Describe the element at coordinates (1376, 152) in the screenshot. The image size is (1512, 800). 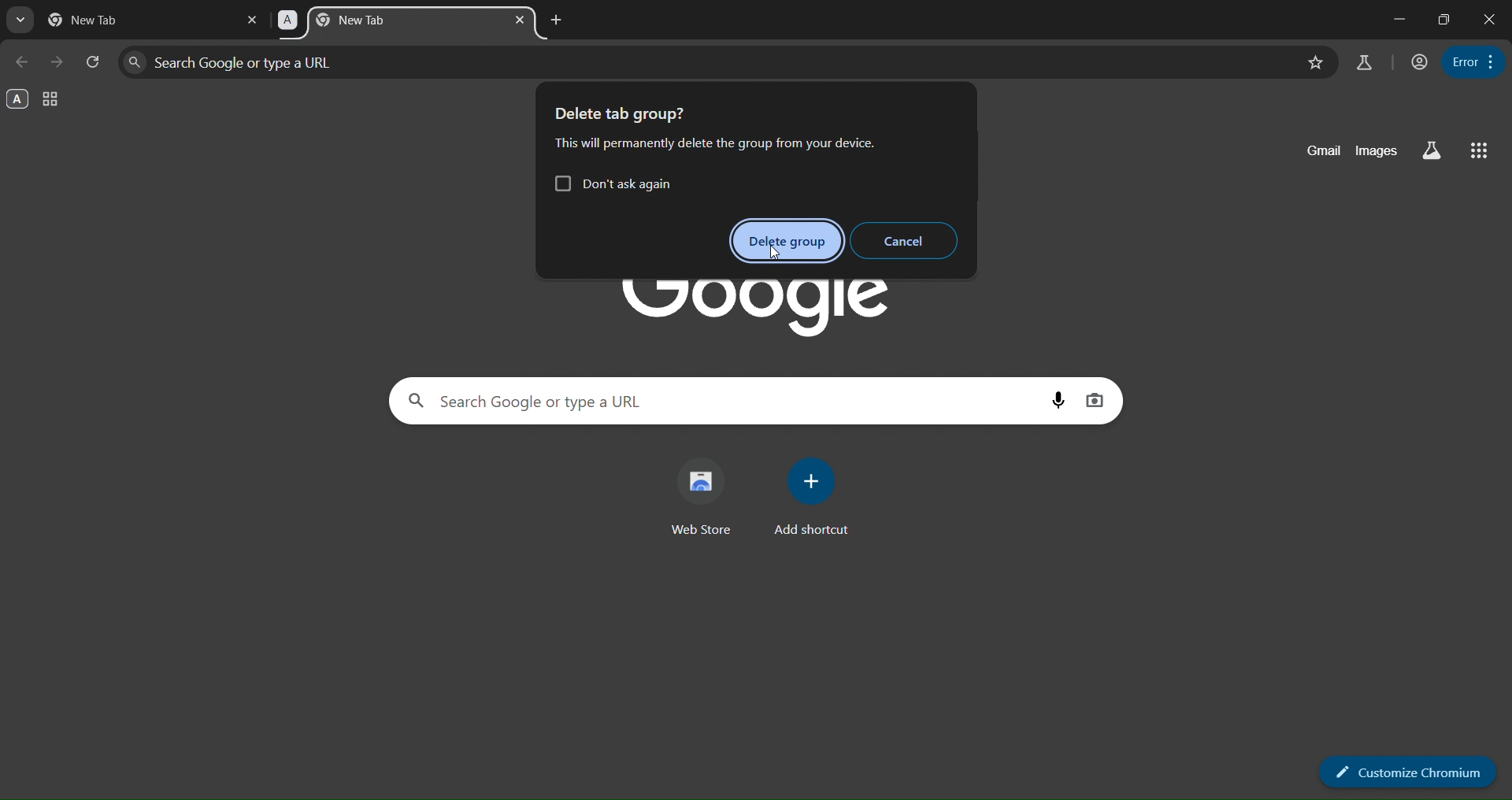
I see `images` at that location.